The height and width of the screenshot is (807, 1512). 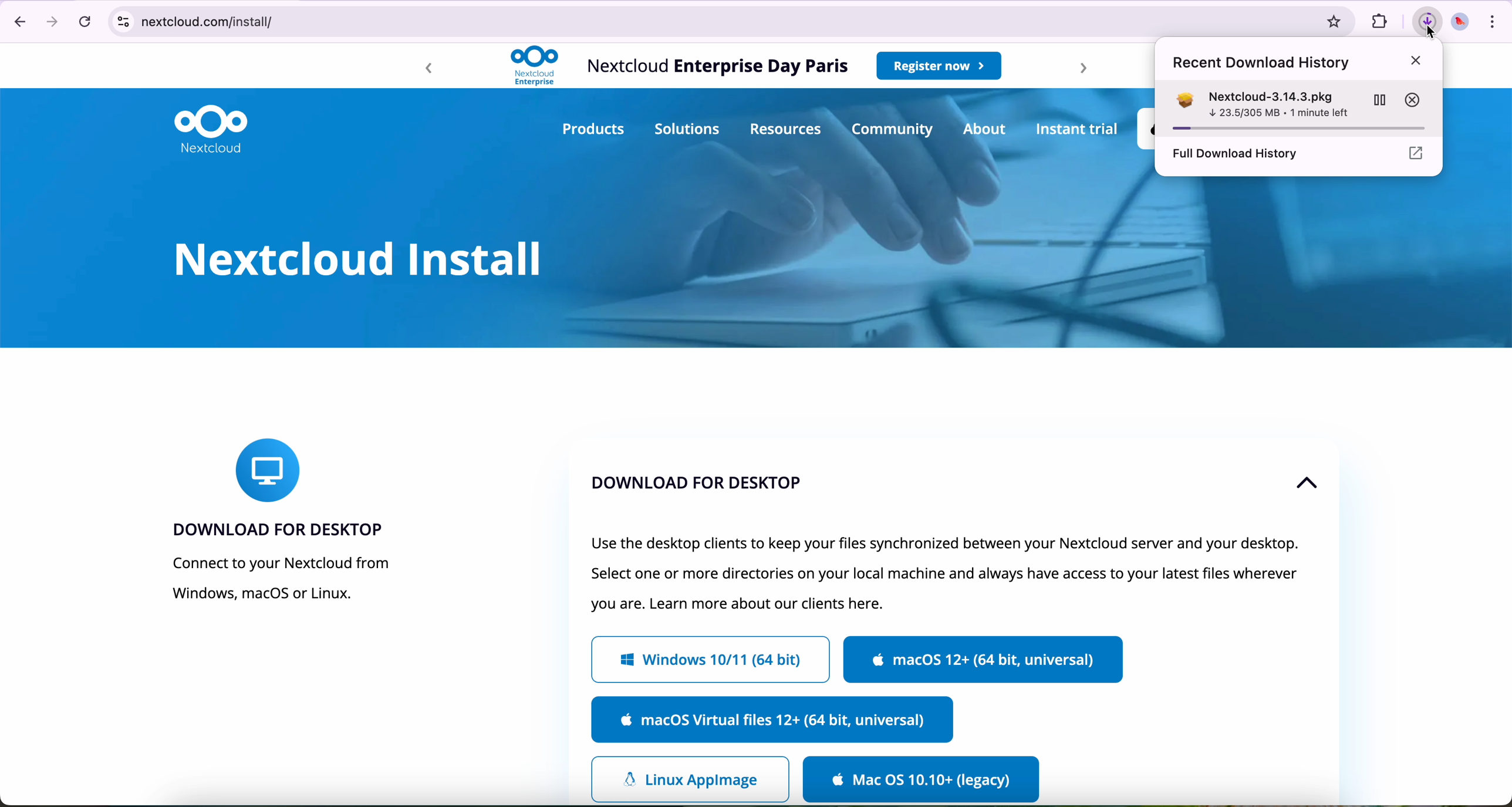 What do you see at coordinates (1461, 19) in the screenshot?
I see `profile` at bounding box center [1461, 19].